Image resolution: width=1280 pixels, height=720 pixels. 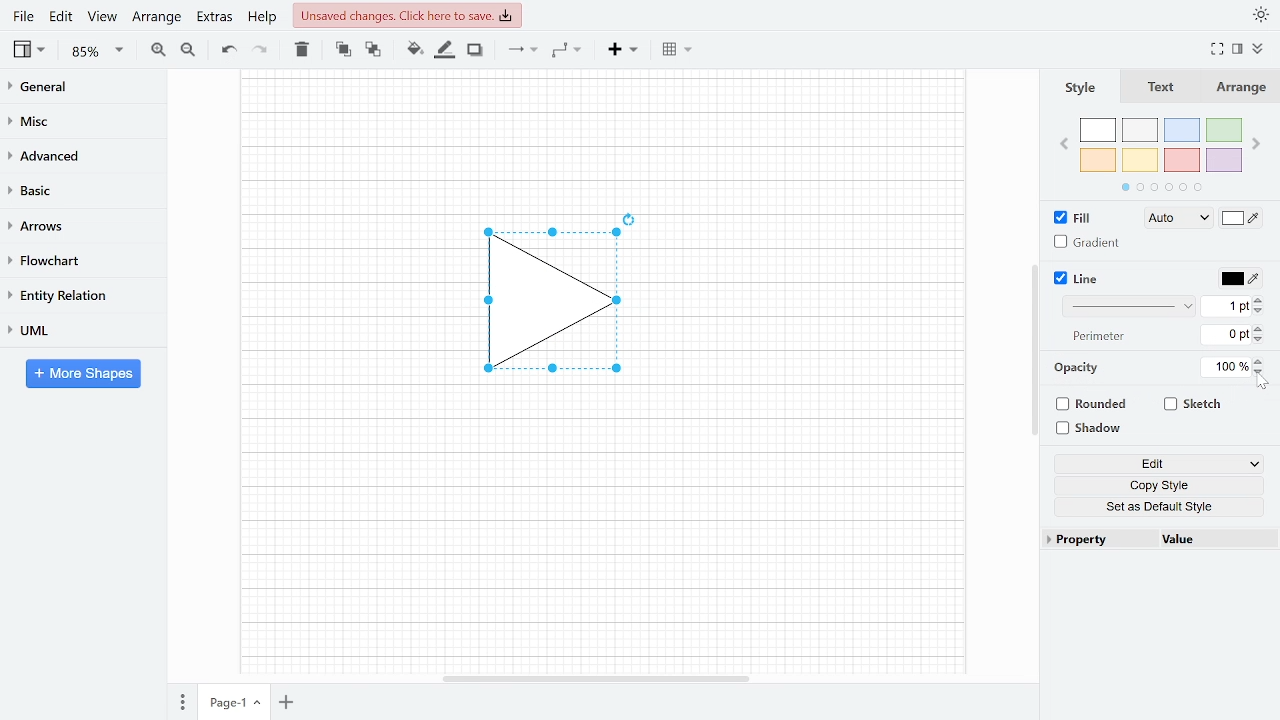 I want to click on Line, so click(x=1078, y=279).